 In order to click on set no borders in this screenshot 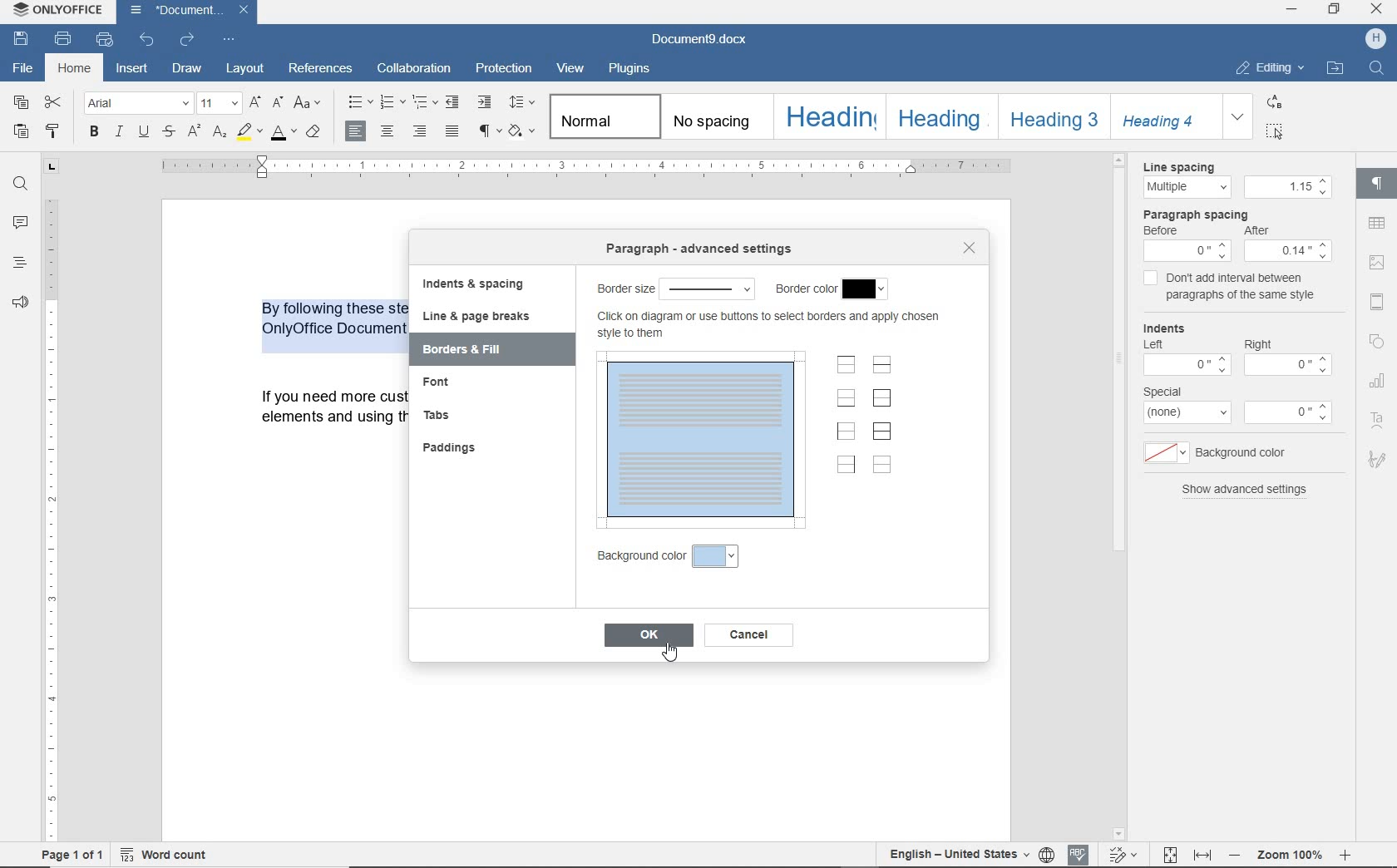, I will do `click(883, 466)`.